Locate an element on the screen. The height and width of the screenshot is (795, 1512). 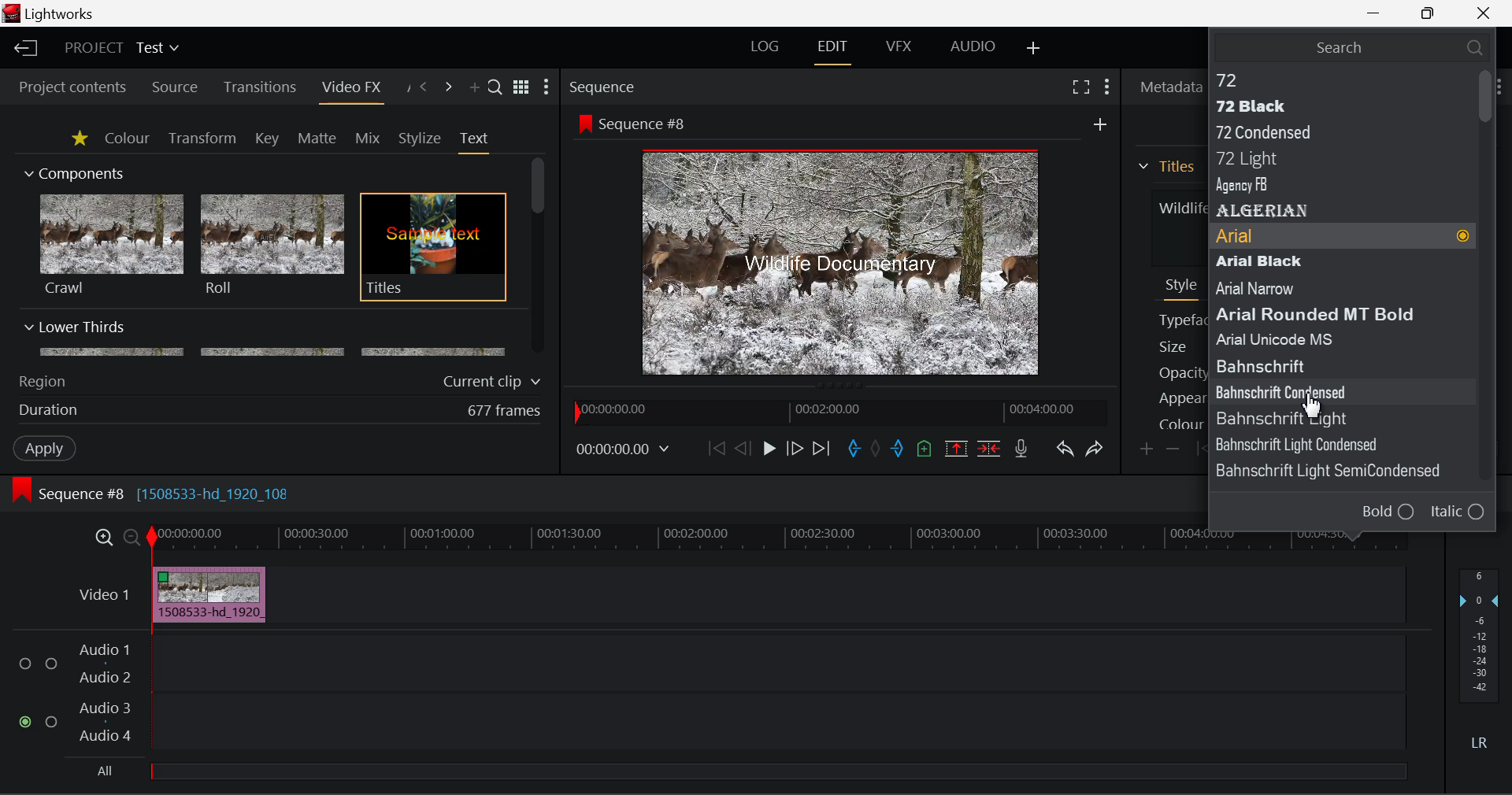
Zoom In Timeline is located at coordinates (104, 542).